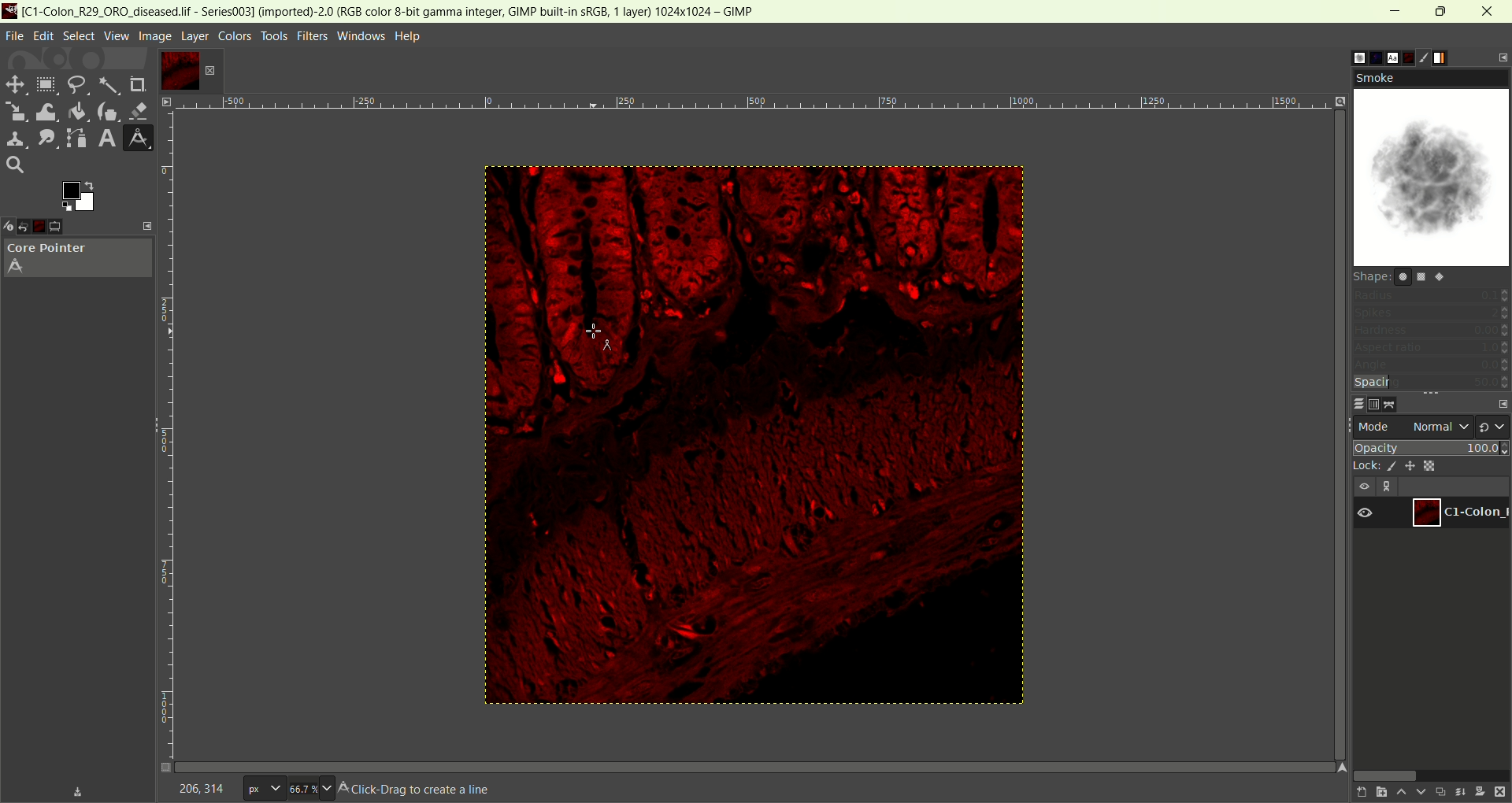  I want to click on filters, so click(313, 36).